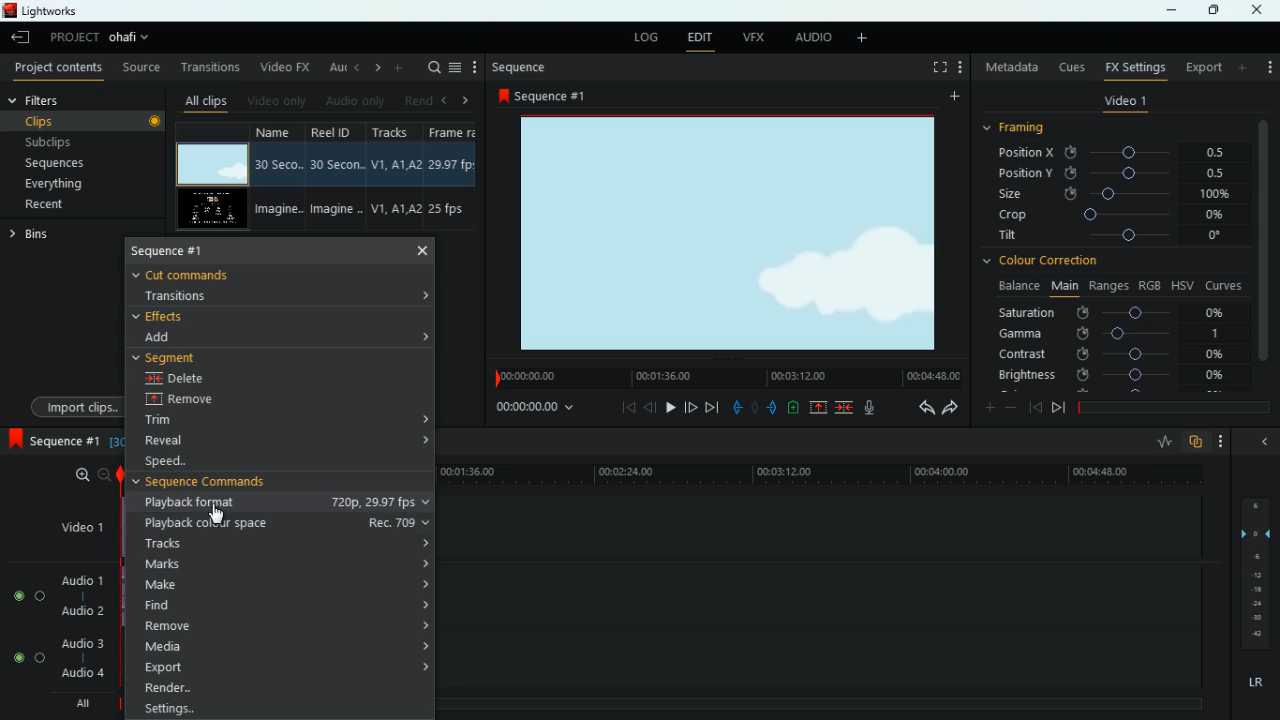  Describe the element at coordinates (287, 564) in the screenshot. I see `marks` at that location.